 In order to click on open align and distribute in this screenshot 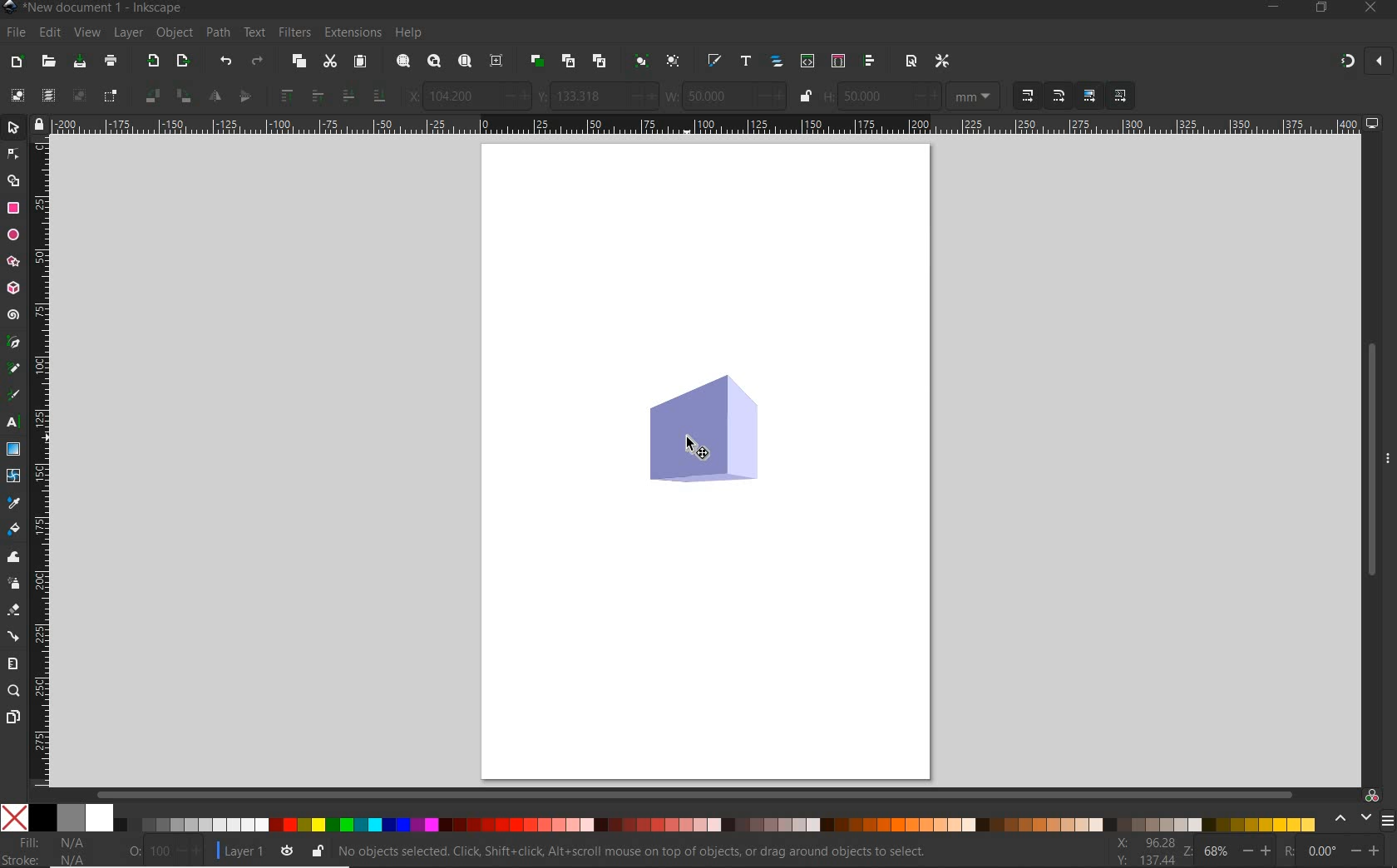, I will do `click(870, 61)`.